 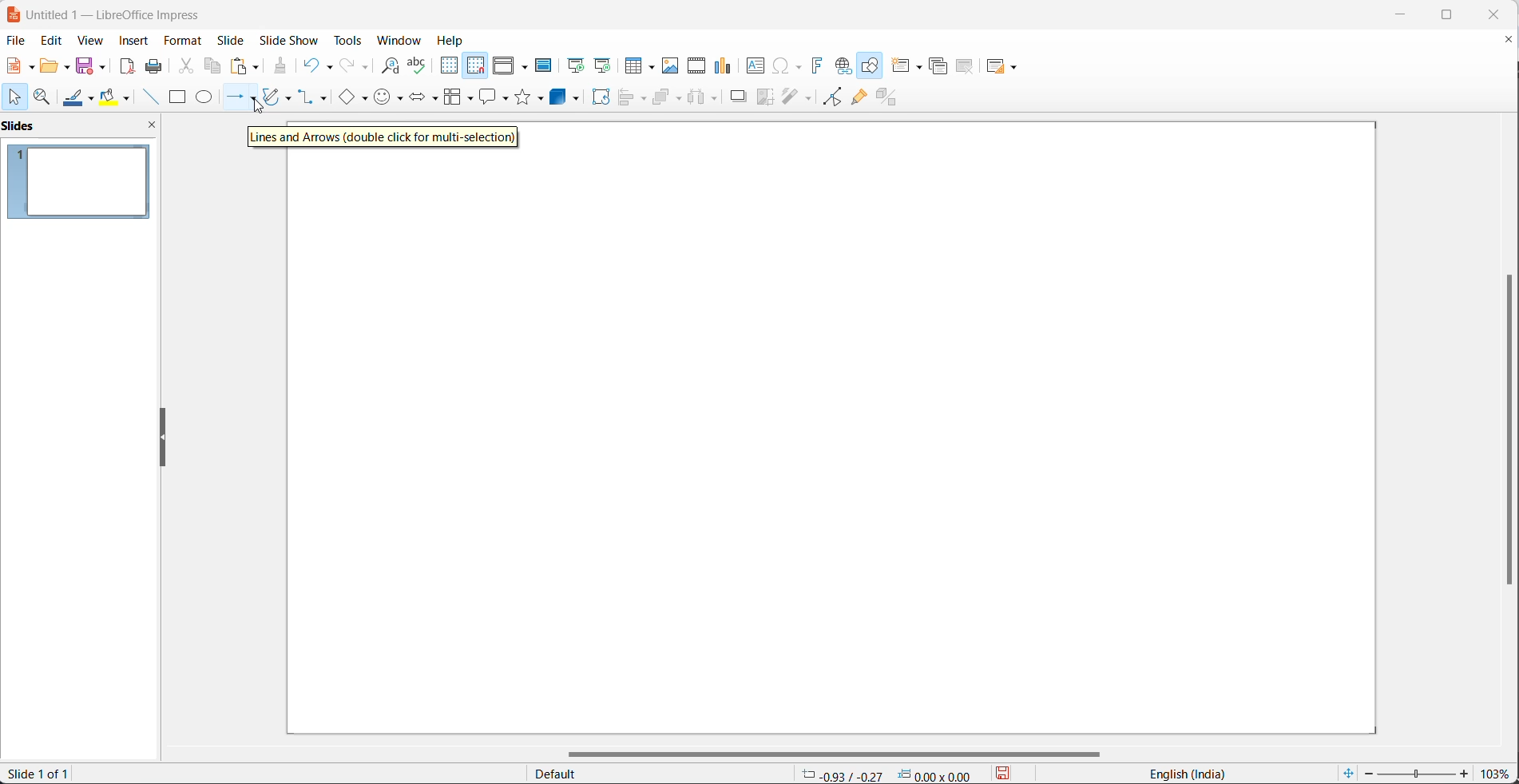 I want to click on close document, so click(x=1509, y=38).